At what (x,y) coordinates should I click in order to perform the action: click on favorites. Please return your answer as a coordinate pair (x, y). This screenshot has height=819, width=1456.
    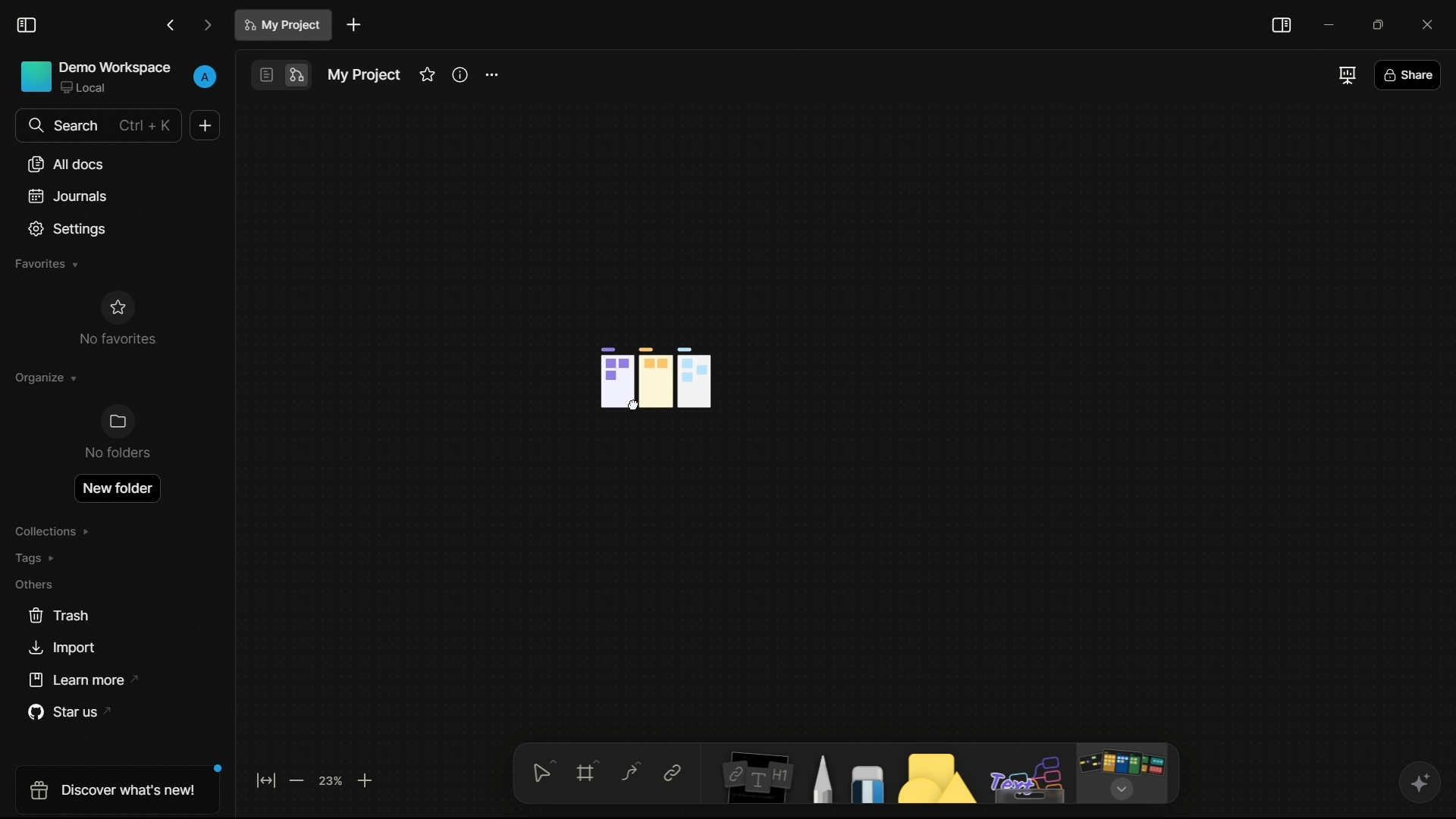
    Looking at the image, I should click on (427, 74).